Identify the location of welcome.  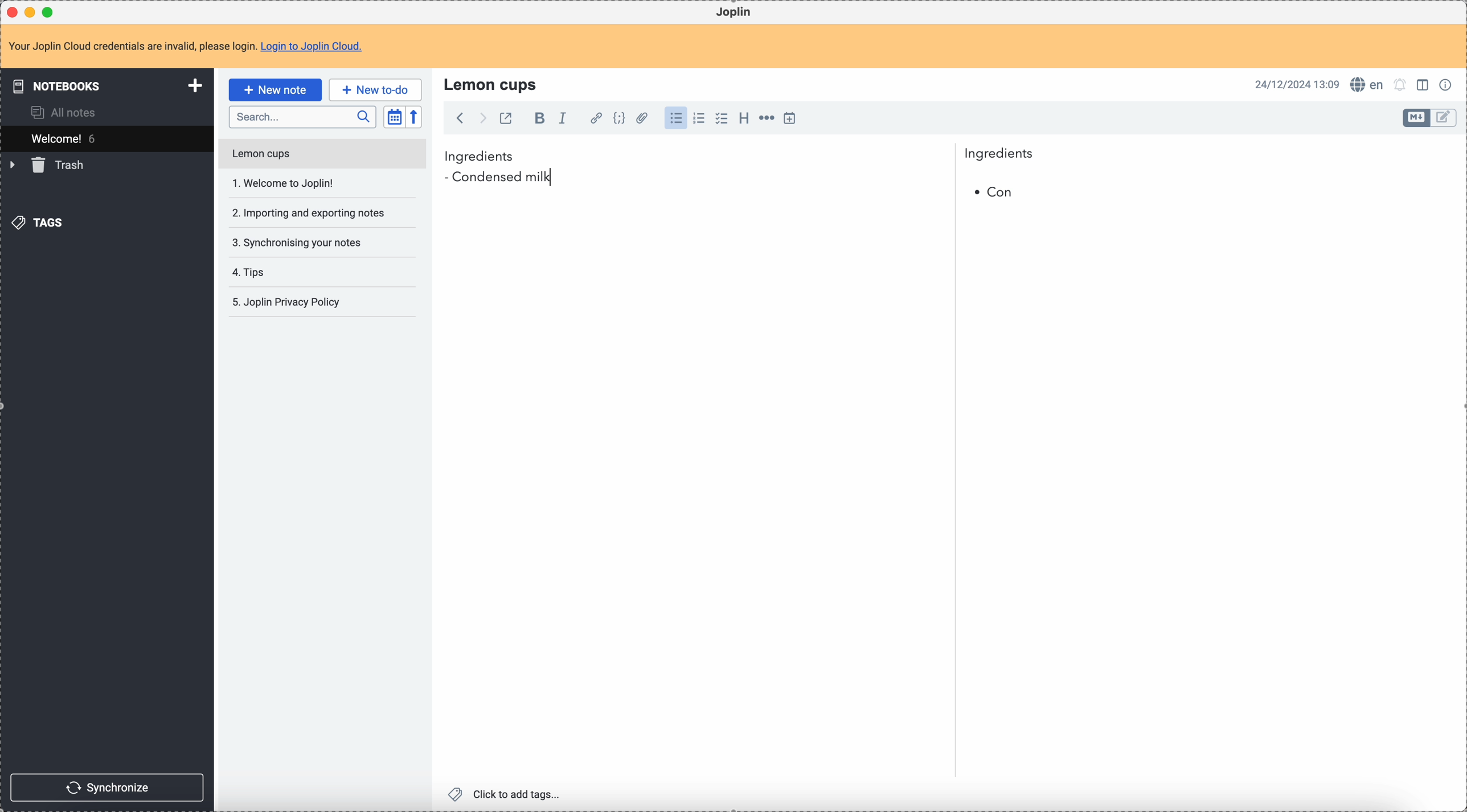
(106, 138).